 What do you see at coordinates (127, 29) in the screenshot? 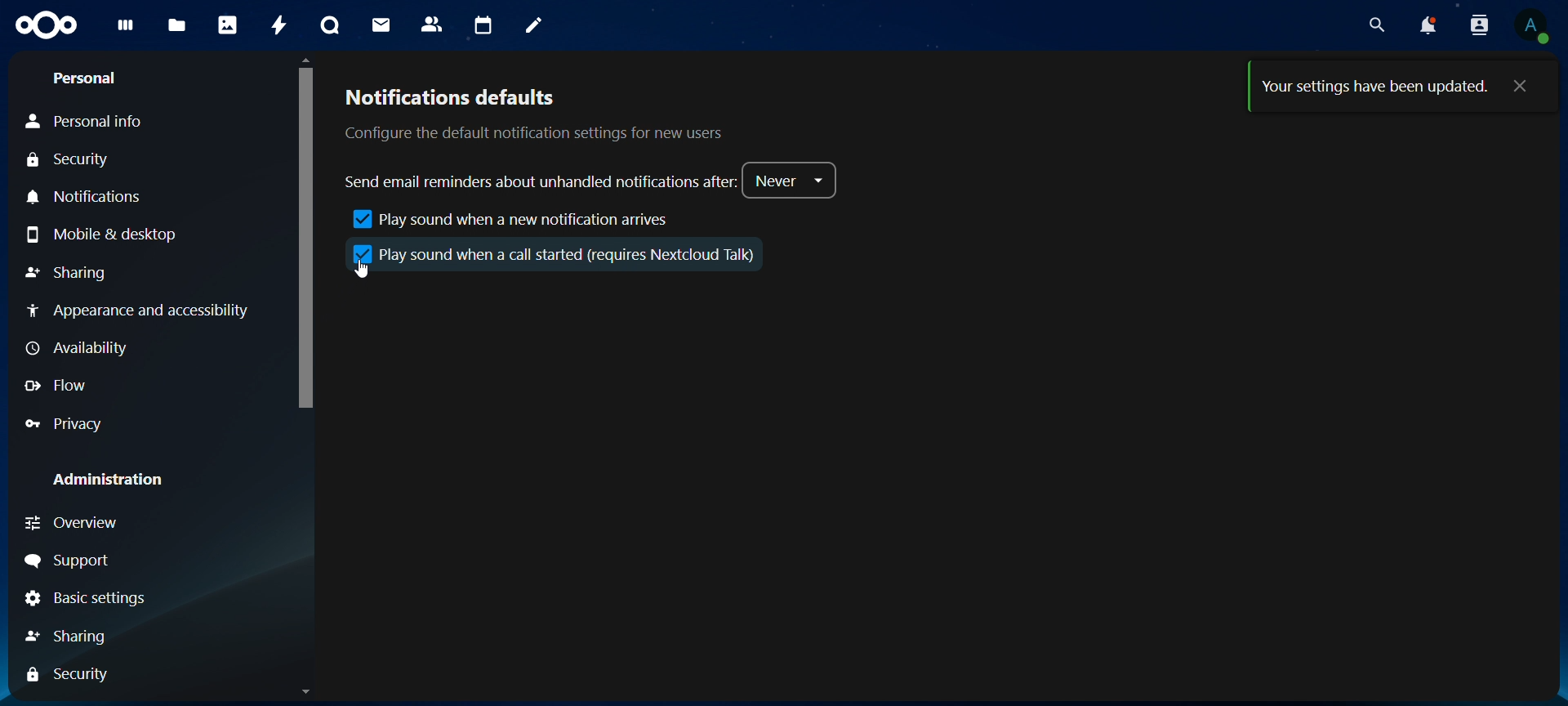
I see `dashboard` at bounding box center [127, 29].